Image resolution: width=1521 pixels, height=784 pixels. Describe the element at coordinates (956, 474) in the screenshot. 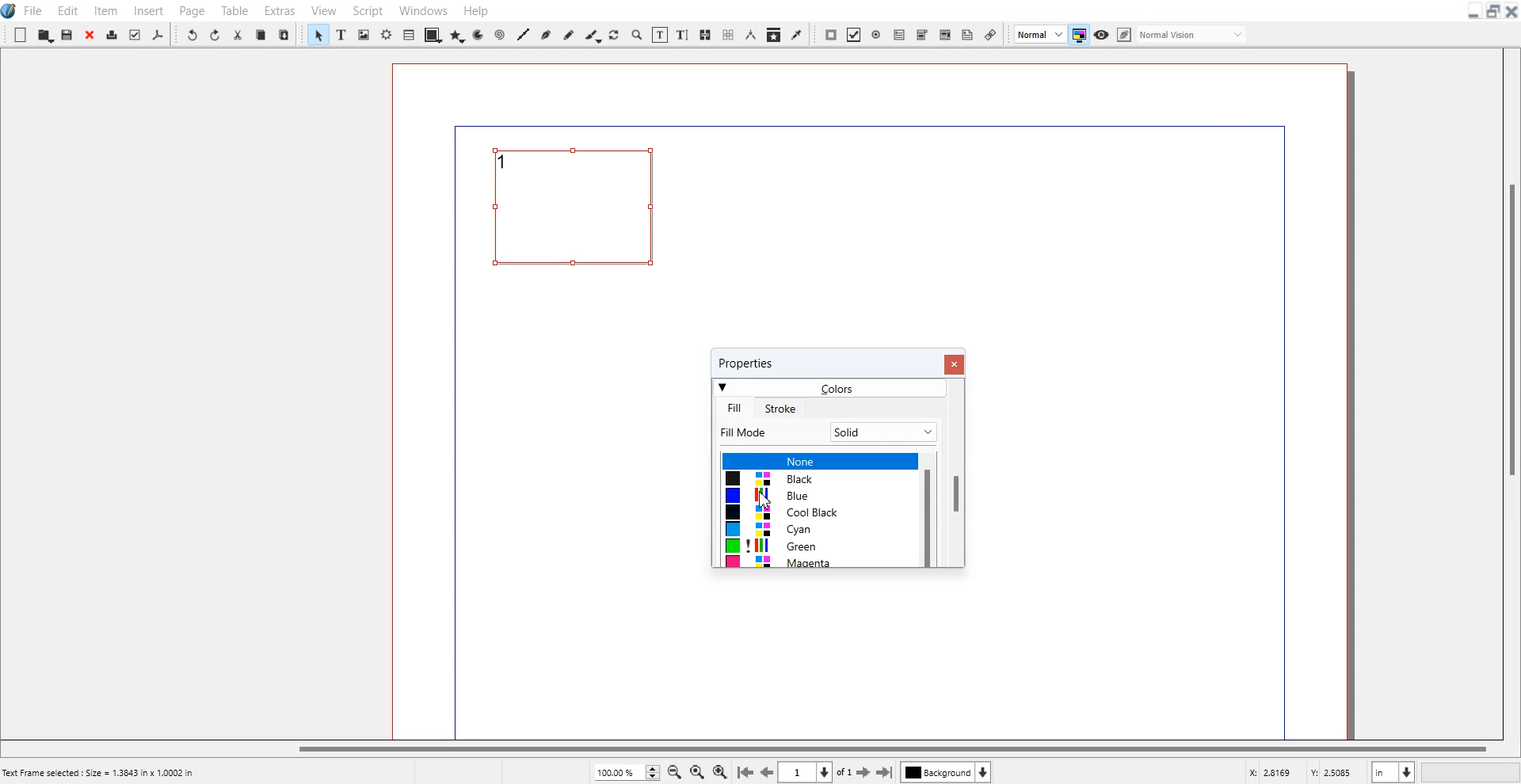

I see `Vertical Scroll Bar` at that location.